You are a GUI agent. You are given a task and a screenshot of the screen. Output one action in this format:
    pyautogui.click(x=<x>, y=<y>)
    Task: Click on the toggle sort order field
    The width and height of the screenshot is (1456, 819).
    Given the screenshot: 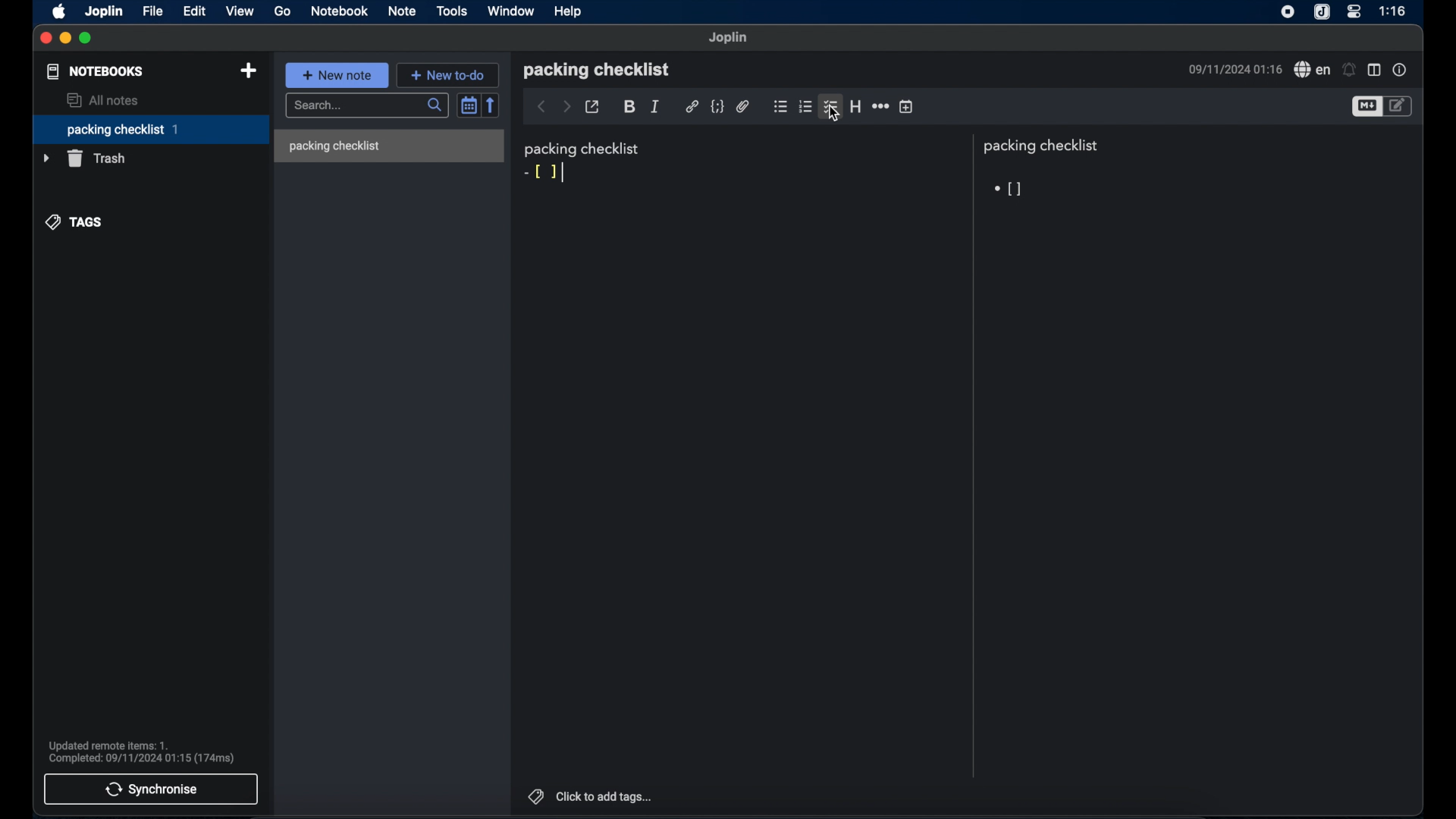 What is the action you would take?
    pyautogui.click(x=468, y=105)
    